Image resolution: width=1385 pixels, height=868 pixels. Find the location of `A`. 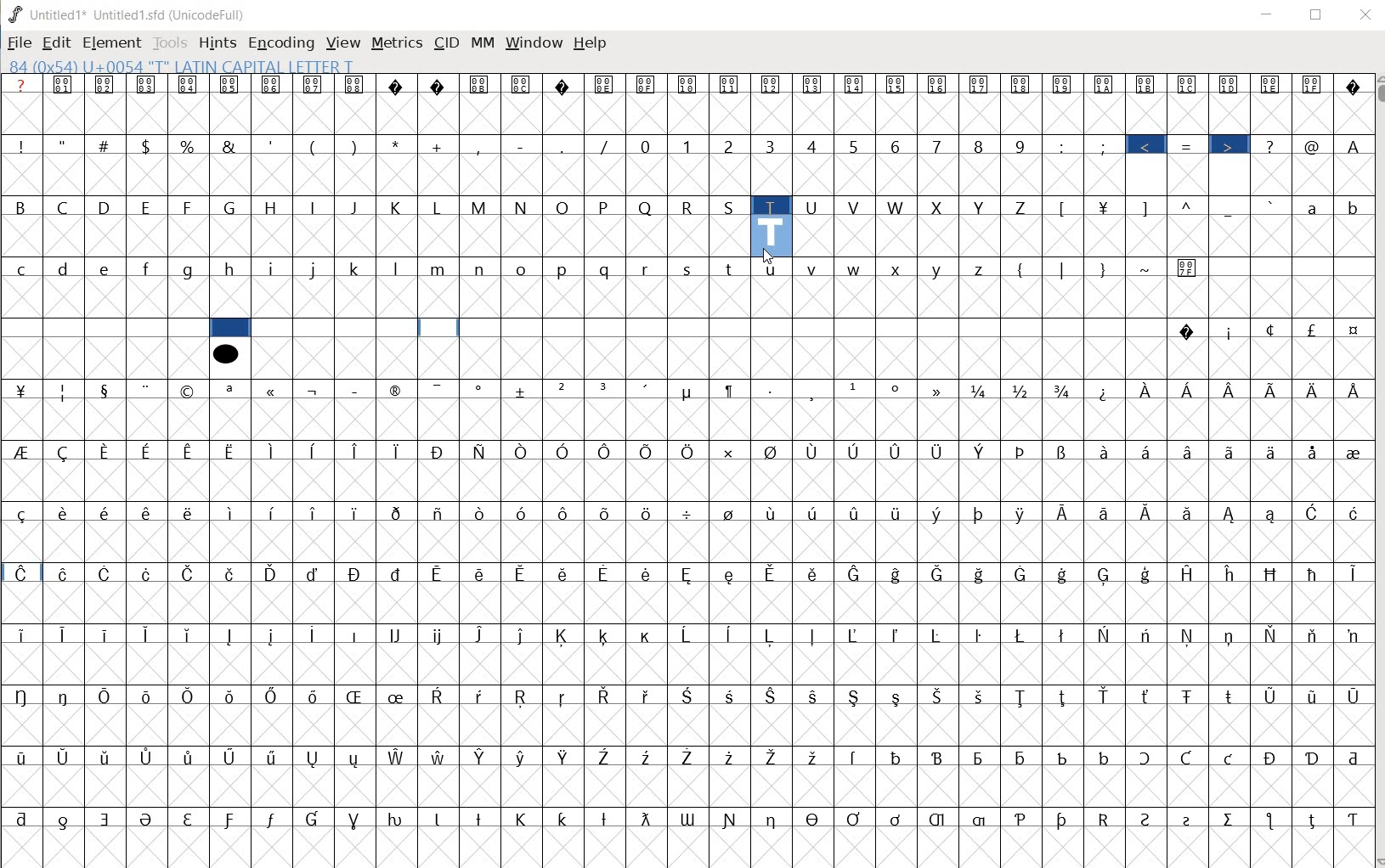

A is located at coordinates (1352, 144).